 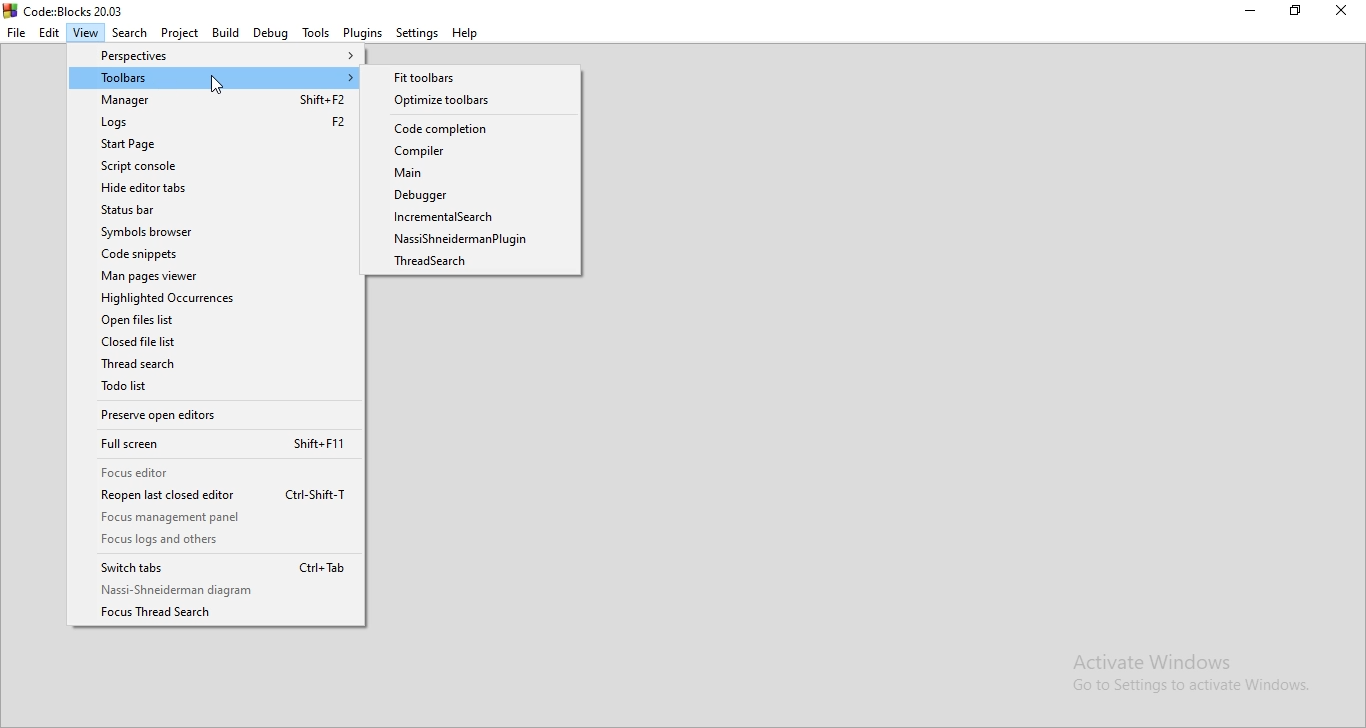 What do you see at coordinates (472, 130) in the screenshot?
I see `Code completion` at bounding box center [472, 130].